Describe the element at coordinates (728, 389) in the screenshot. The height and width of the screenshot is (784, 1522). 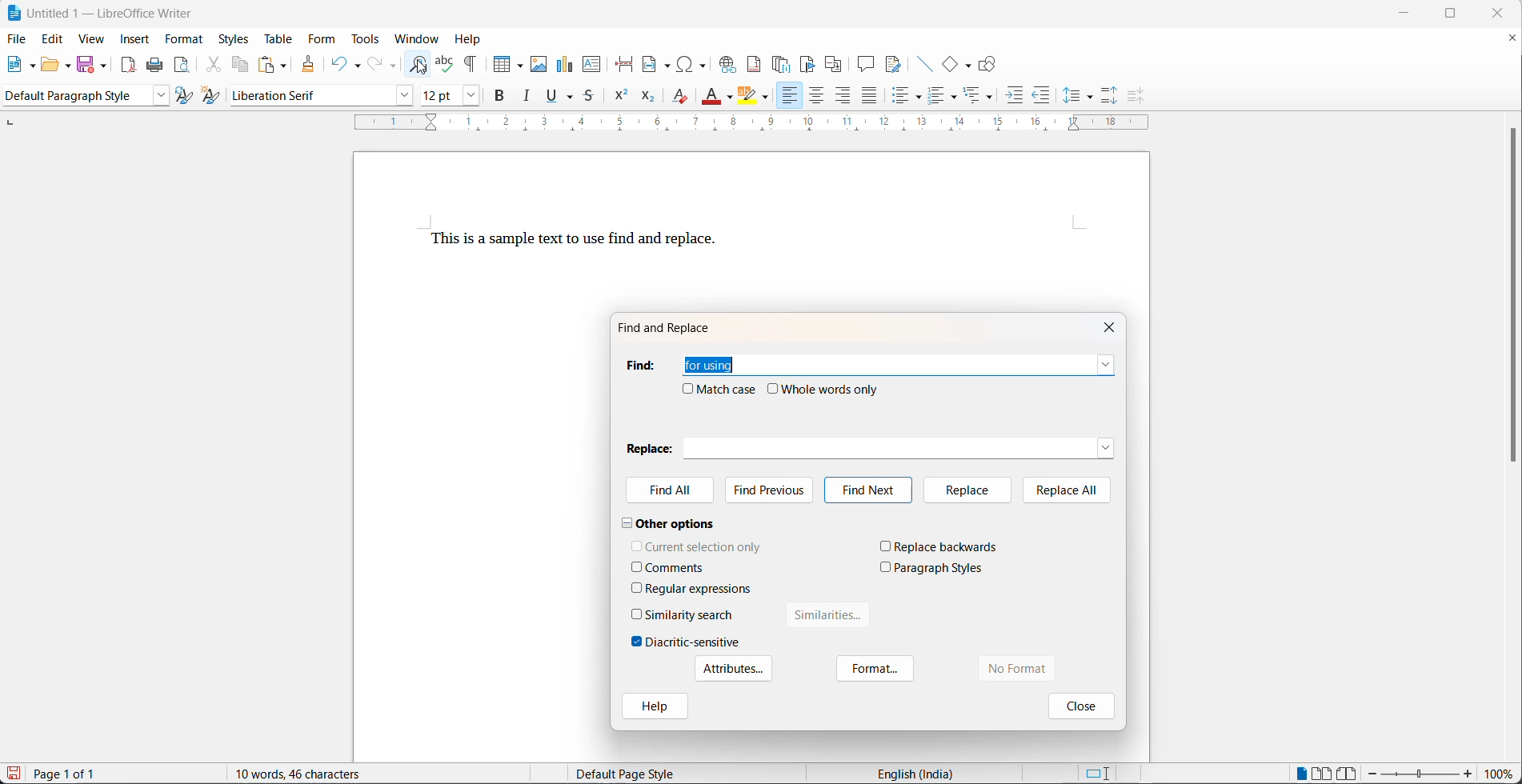
I see `match case` at that location.